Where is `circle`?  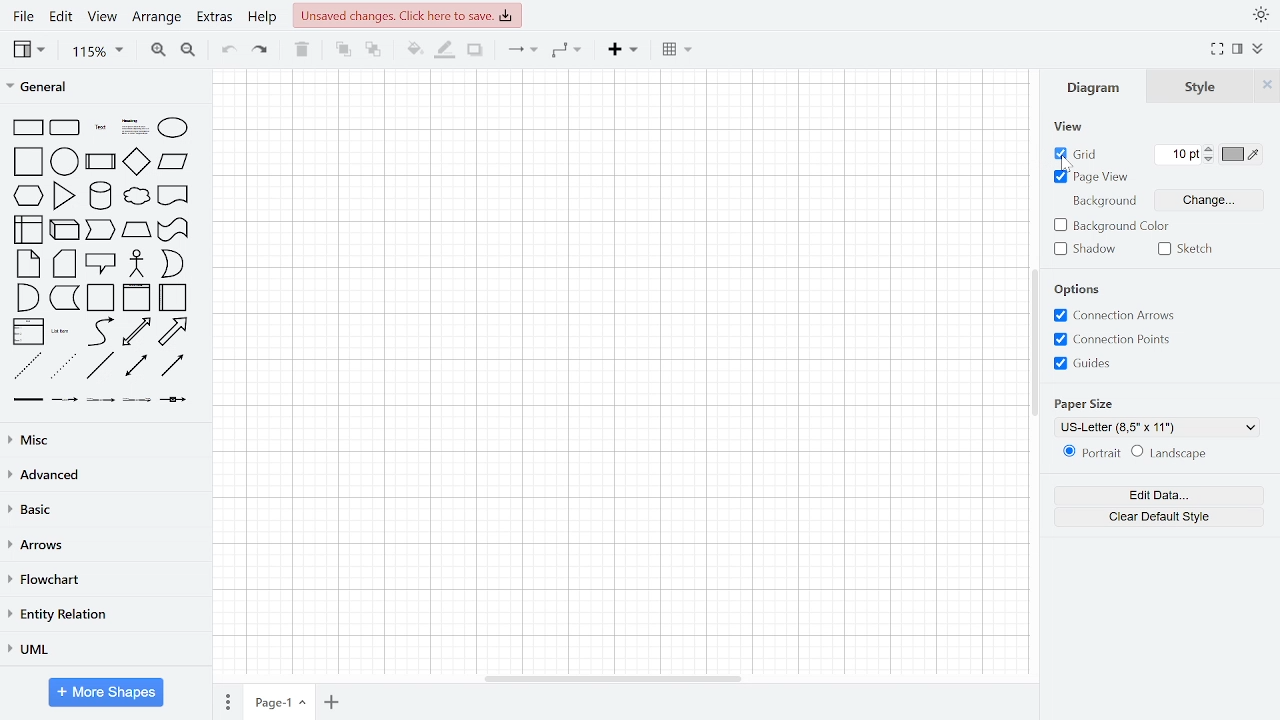
circle is located at coordinates (66, 162).